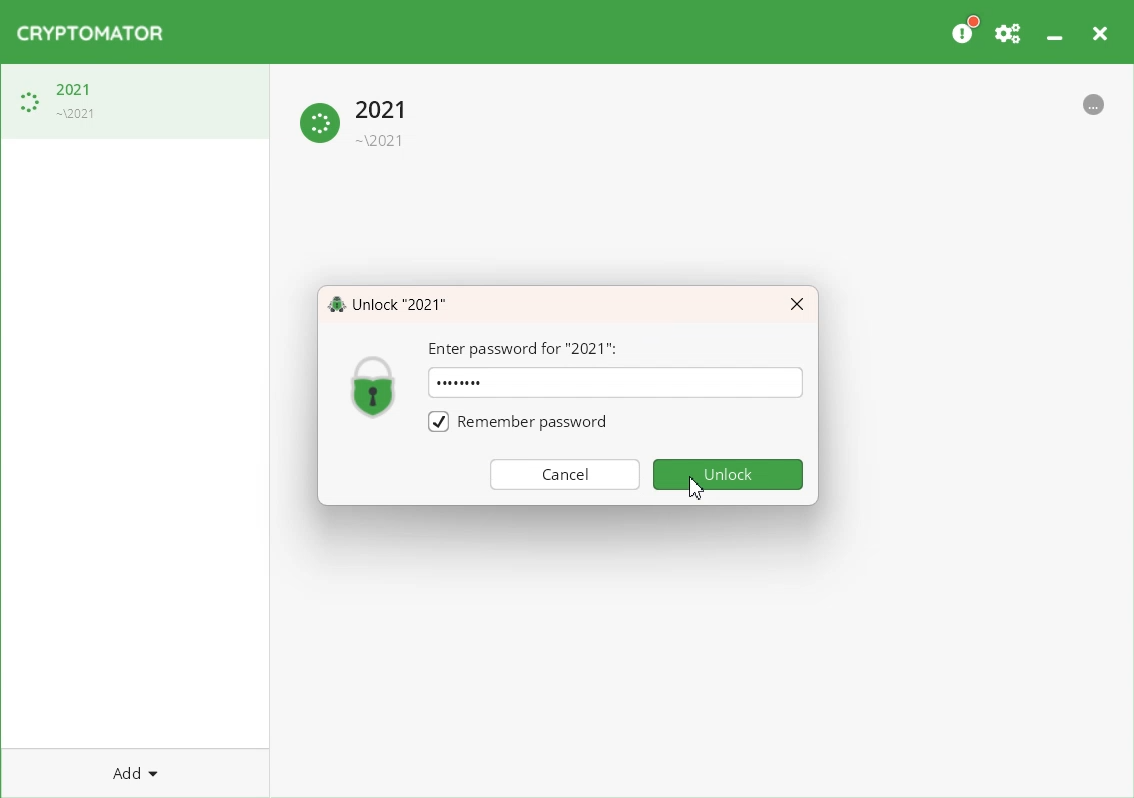  I want to click on Unlock, so click(729, 474).